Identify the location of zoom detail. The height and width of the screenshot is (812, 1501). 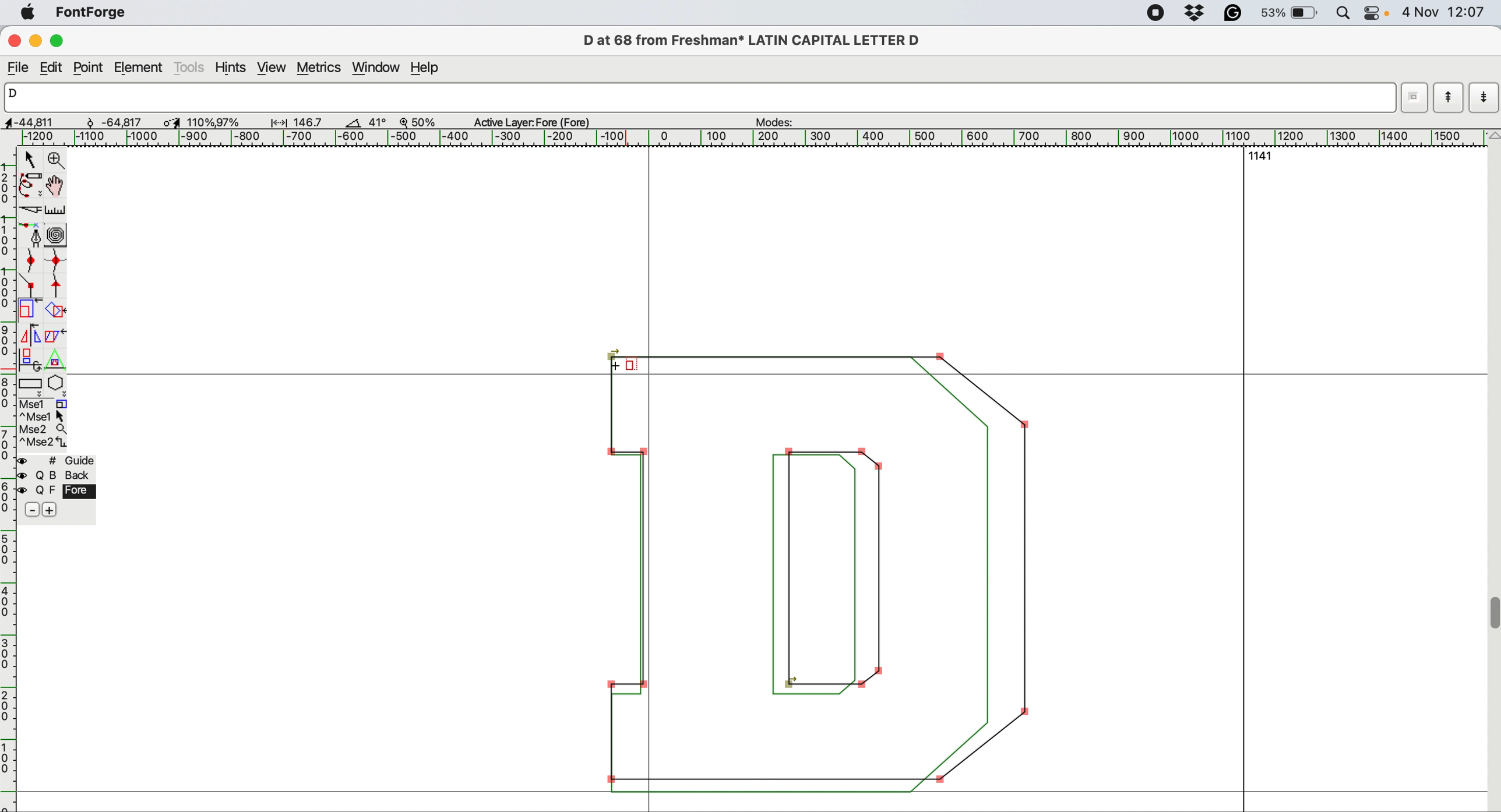
(413, 122).